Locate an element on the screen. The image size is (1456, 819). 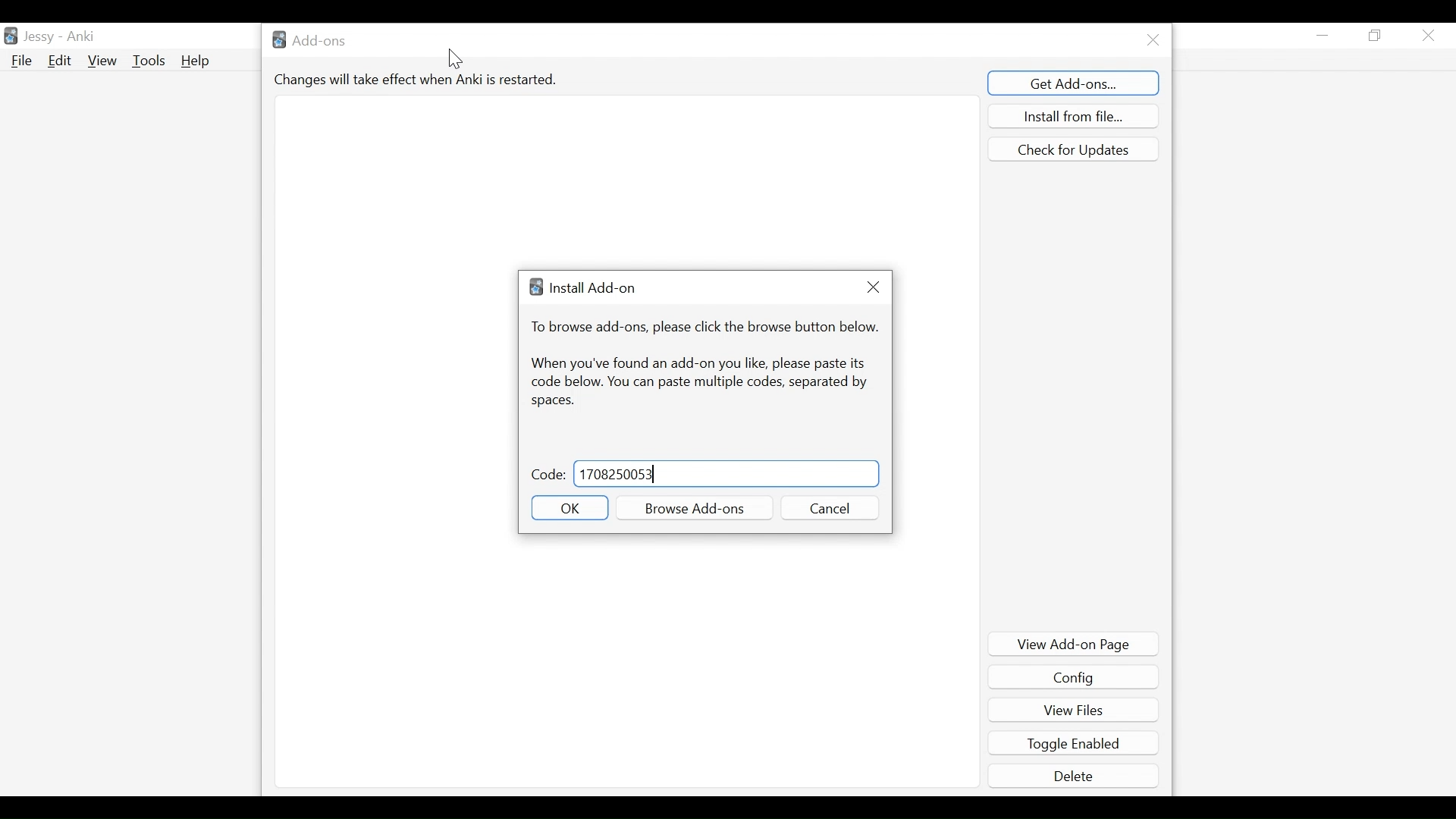
Restore is located at coordinates (1375, 36).